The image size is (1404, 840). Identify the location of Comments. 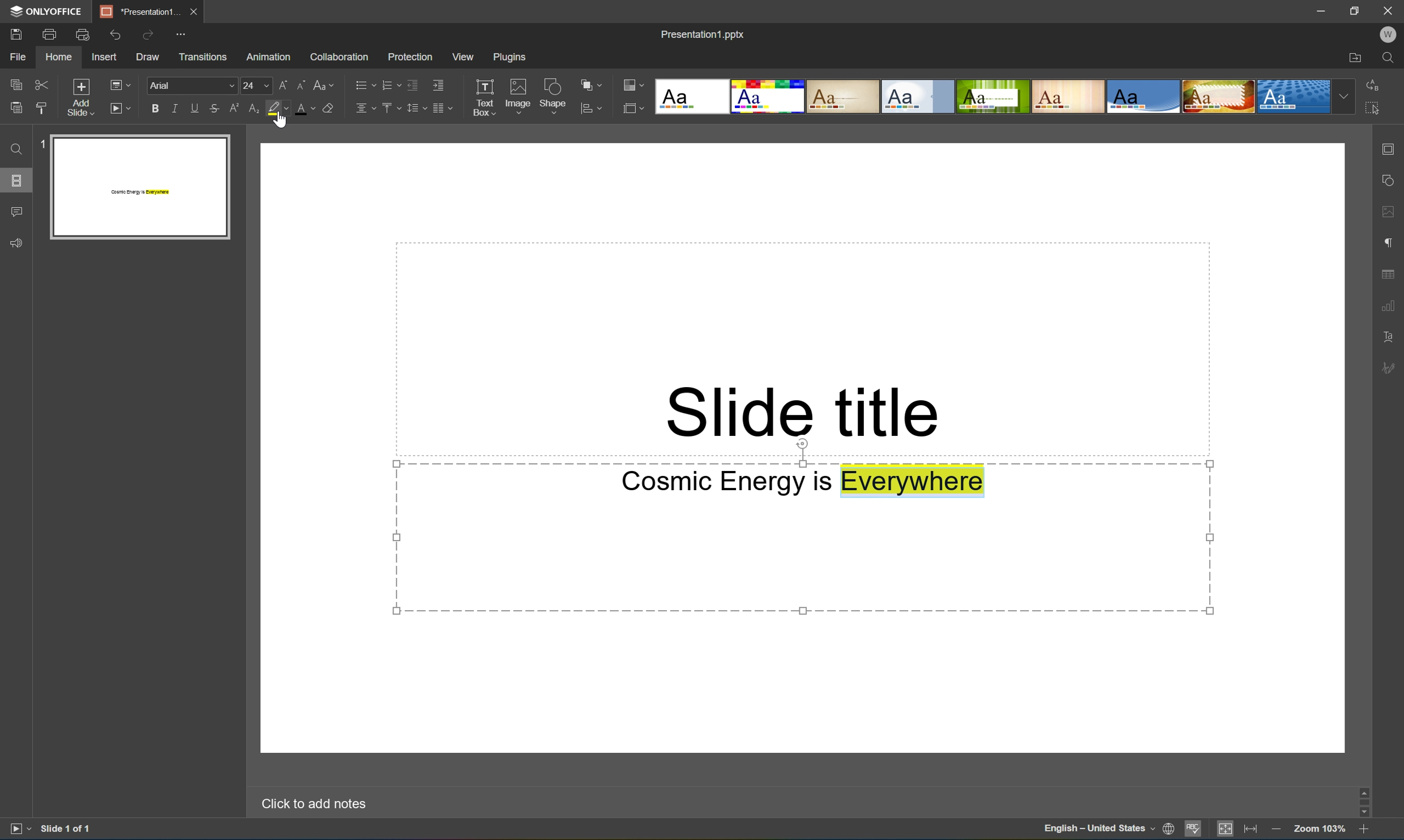
(16, 211).